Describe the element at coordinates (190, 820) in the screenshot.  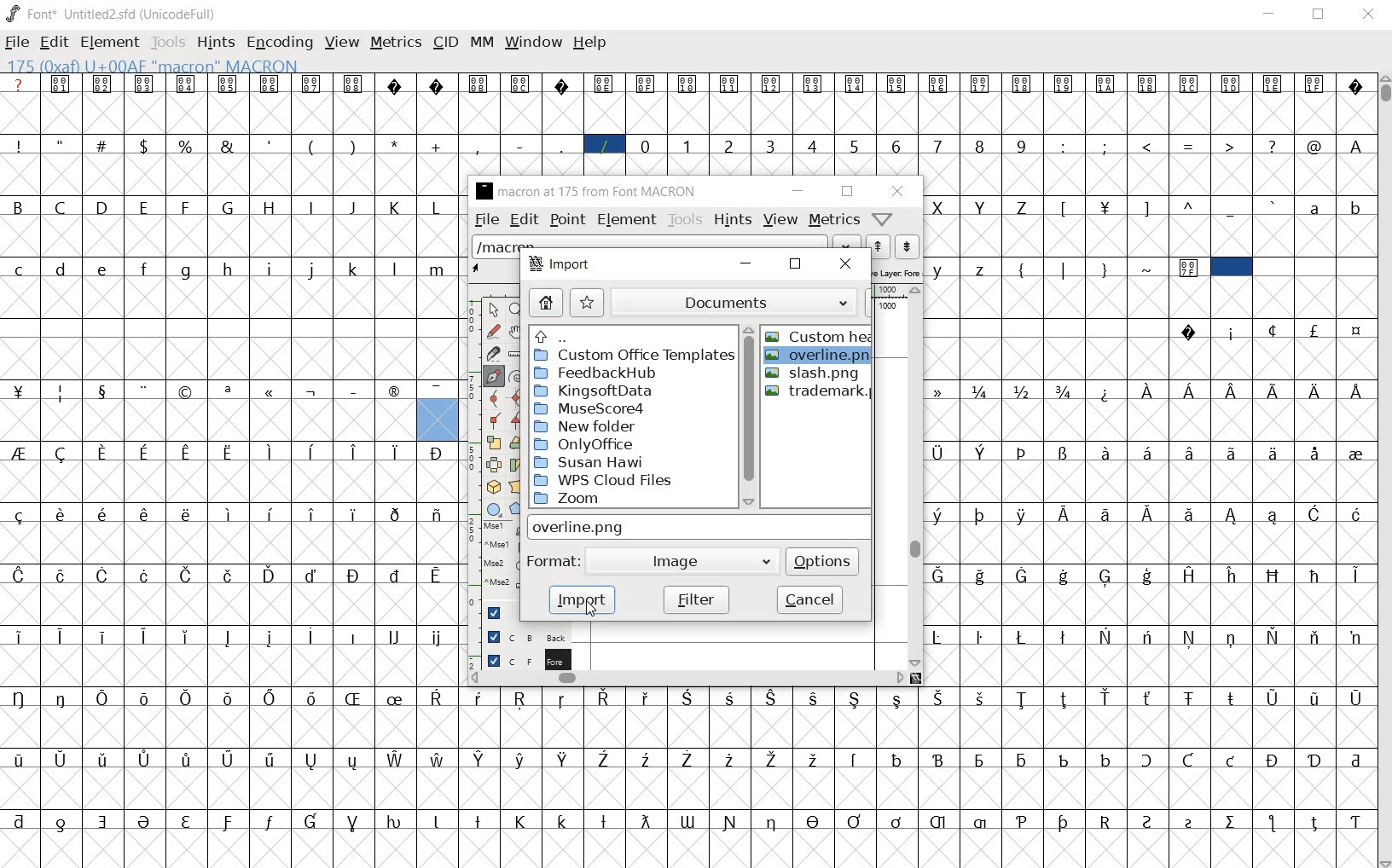
I see `Symbol` at that location.